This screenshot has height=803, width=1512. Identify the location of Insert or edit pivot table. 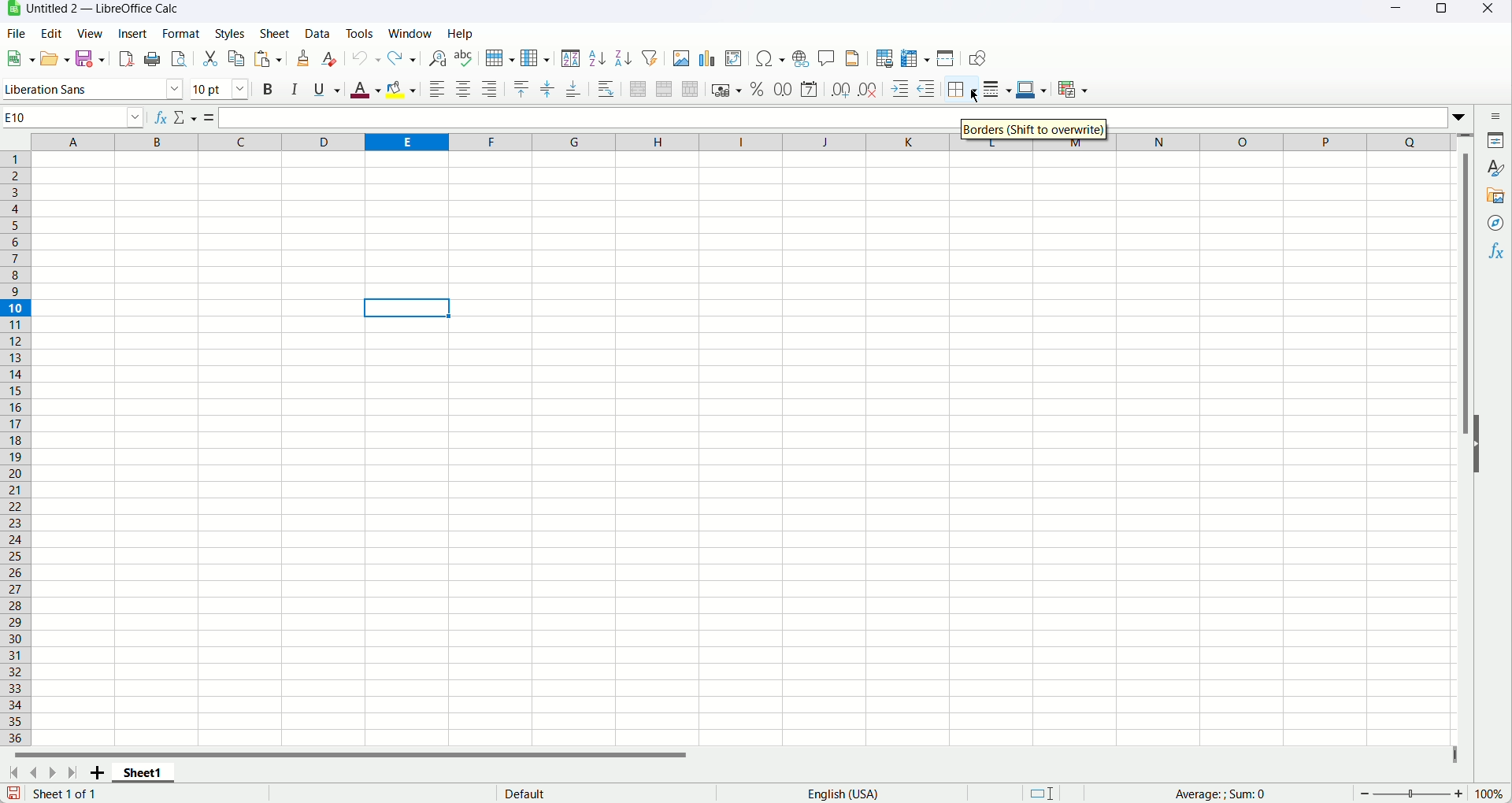
(734, 59).